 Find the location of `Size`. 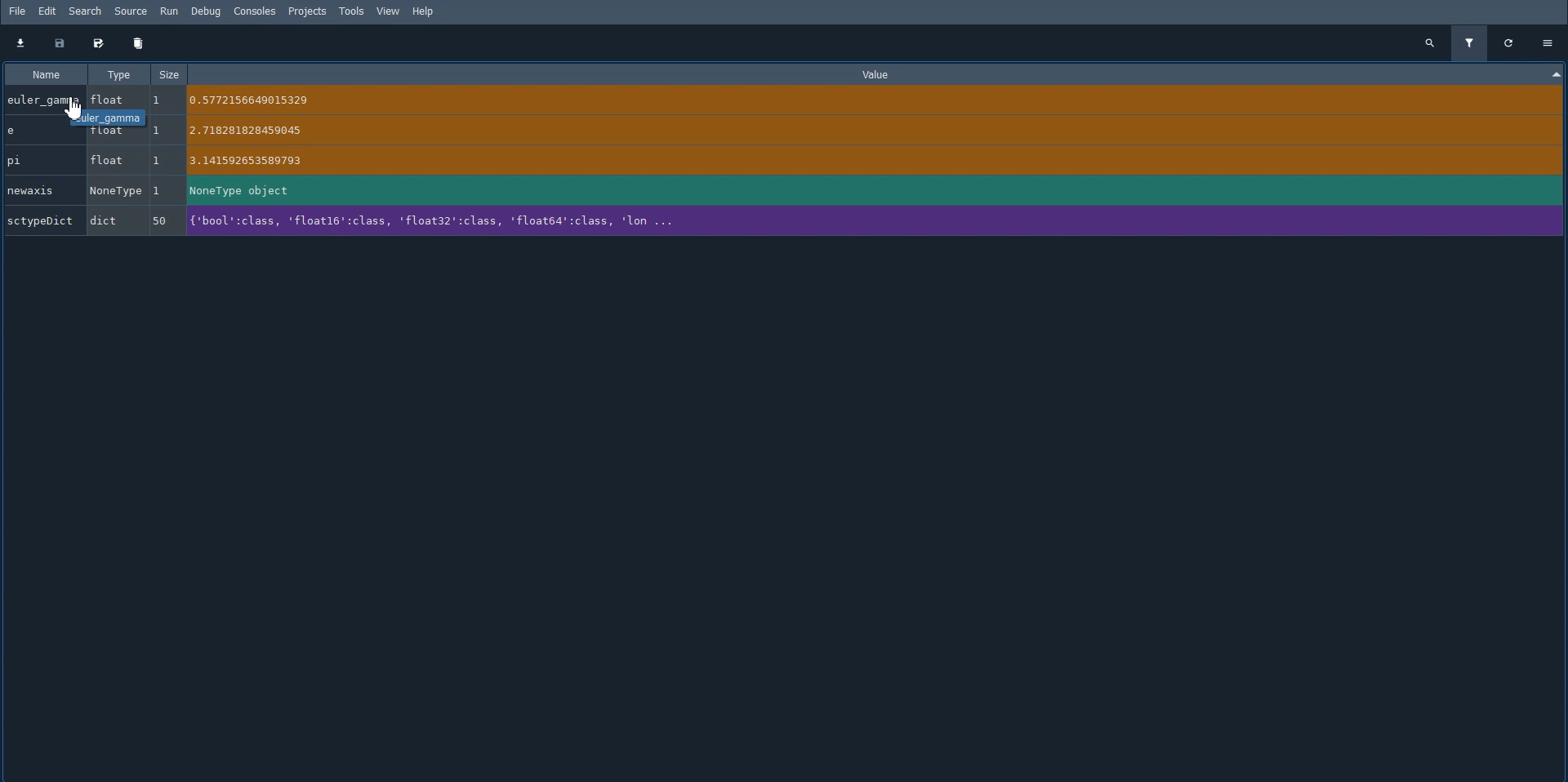

Size is located at coordinates (171, 73).